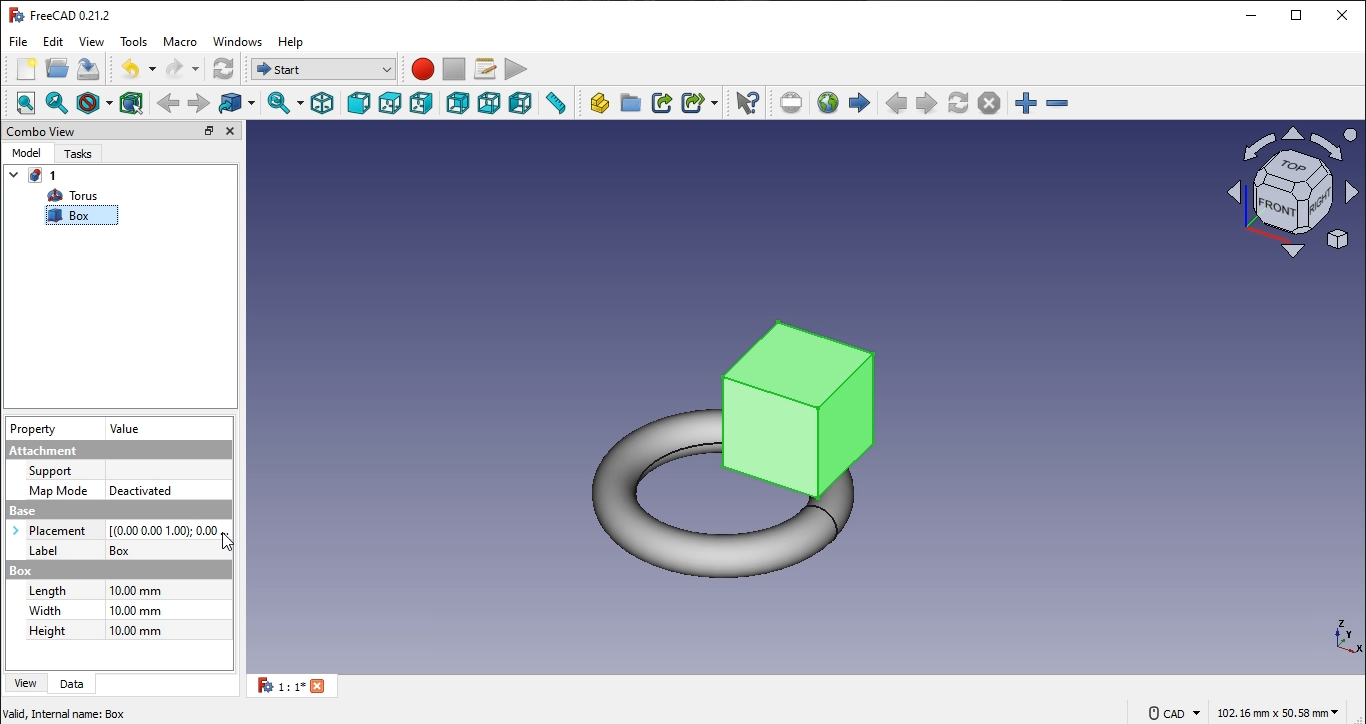  What do you see at coordinates (459, 102) in the screenshot?
I see `rear` at bounding box center [459, 102].